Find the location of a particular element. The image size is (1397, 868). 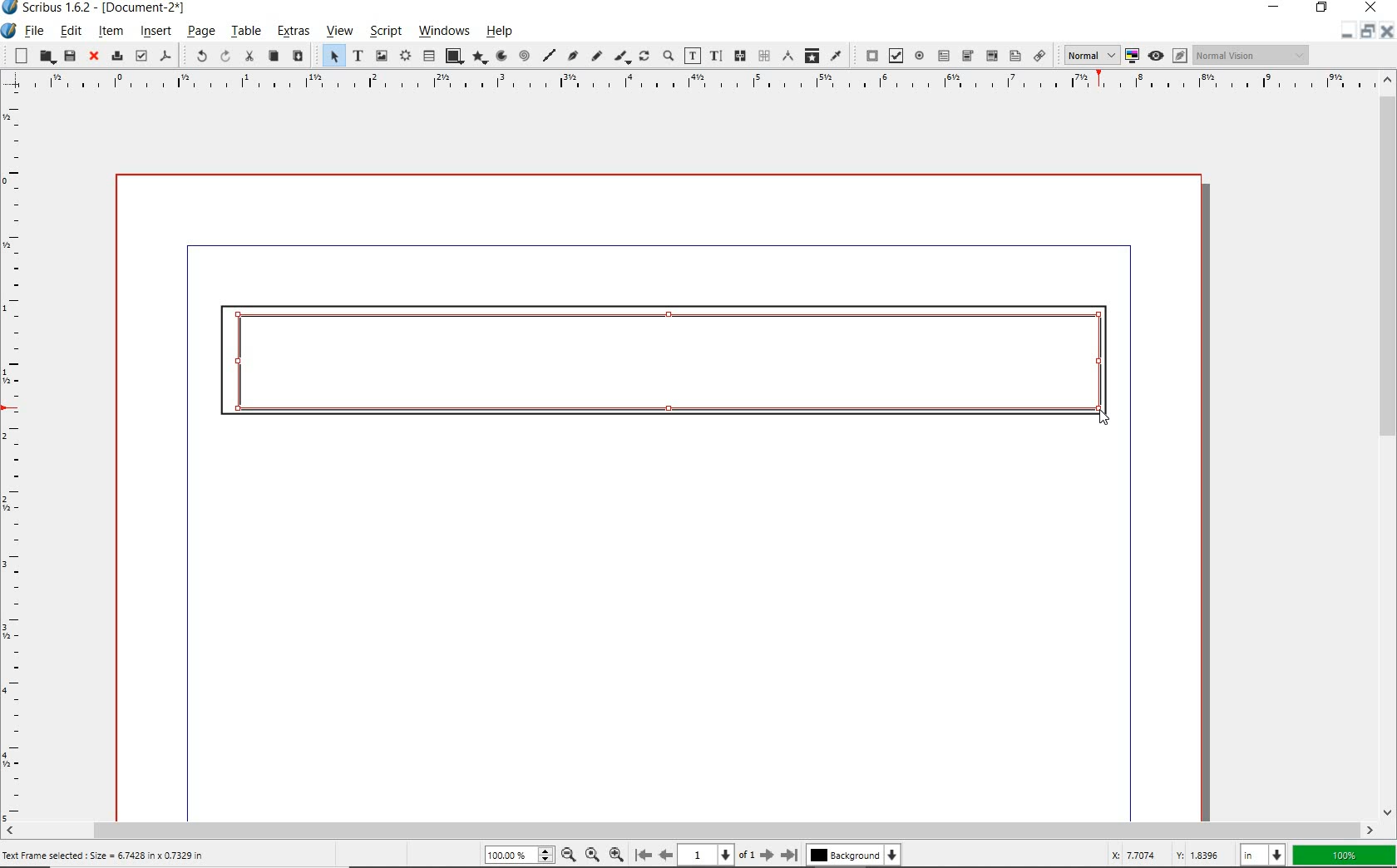

render frame is located at coordinates (404, 57).